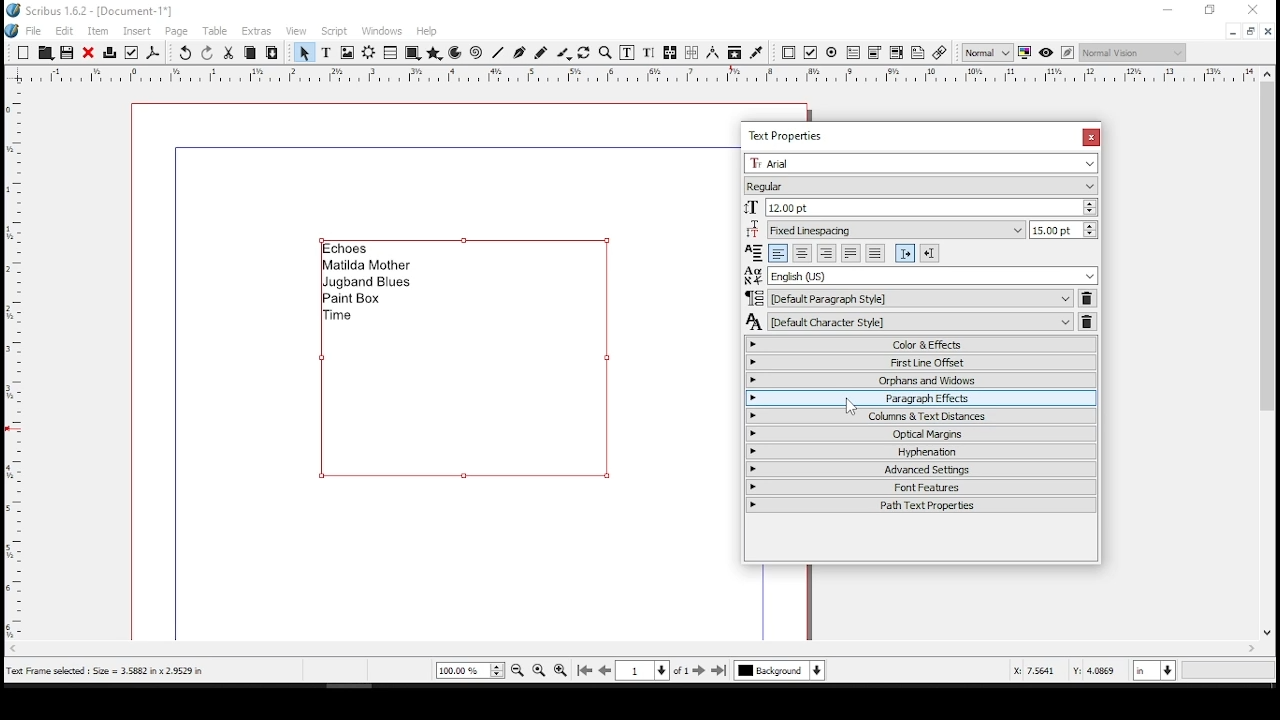 Image resolution: width=1280 pixels, height=720 pixels. What do you see at coordinates (606, 670) in the screenshot?
I see `previous page` at bounding box center [606, 670].